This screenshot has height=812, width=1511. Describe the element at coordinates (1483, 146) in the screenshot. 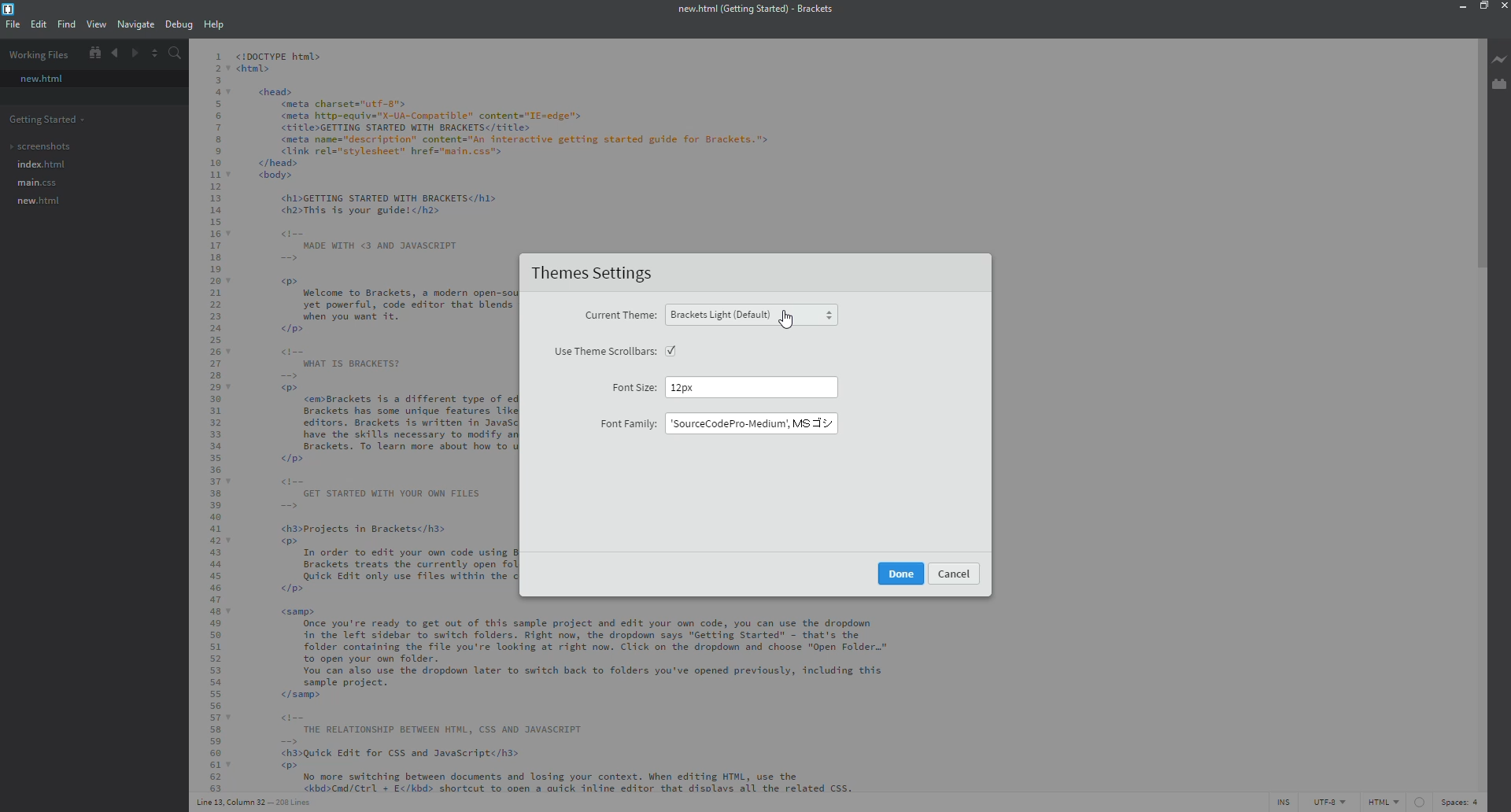

I see `scroll bar` at that location.